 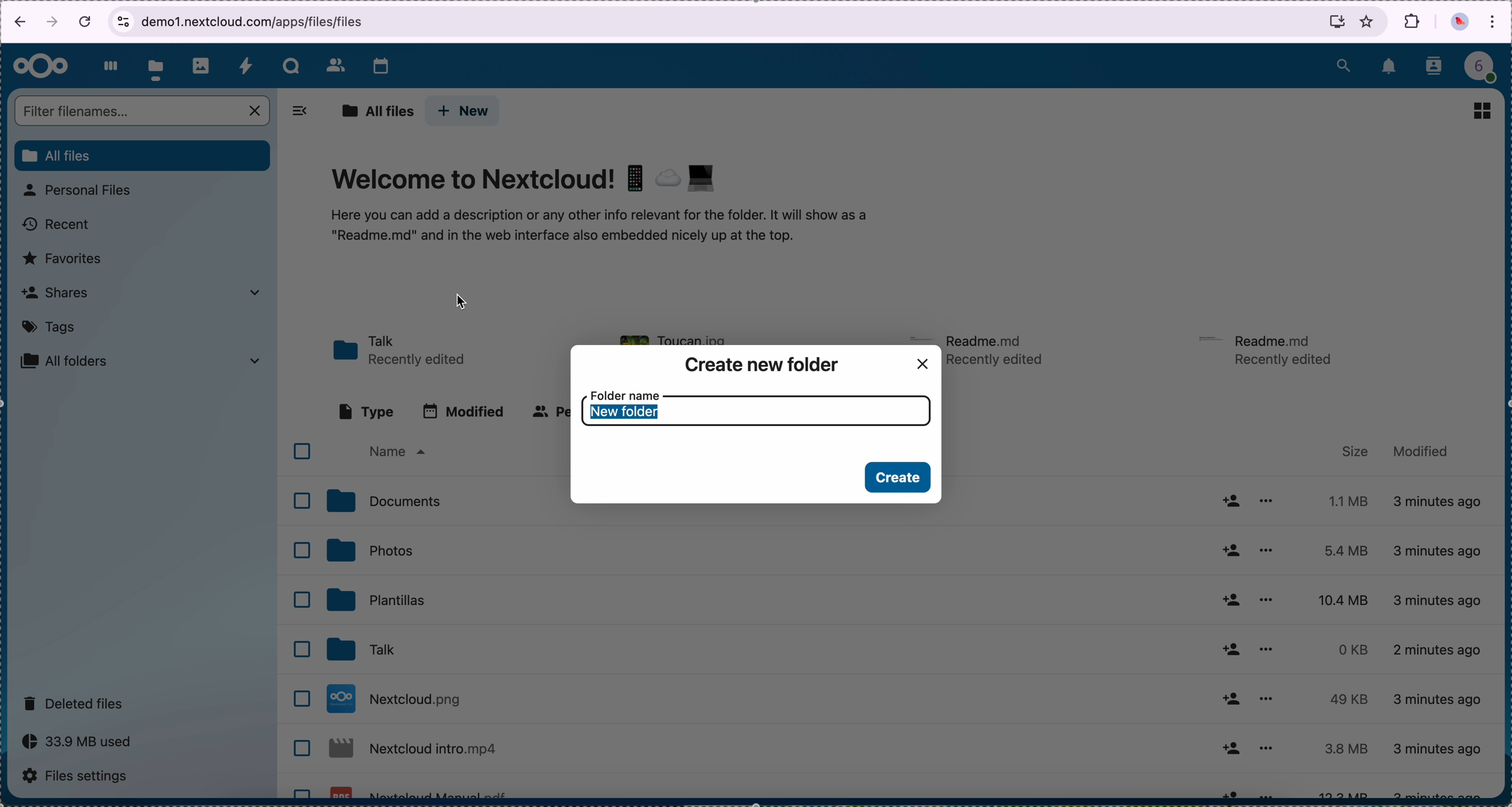 I want to click on Nextcloud file, so click(x=420, y=791).